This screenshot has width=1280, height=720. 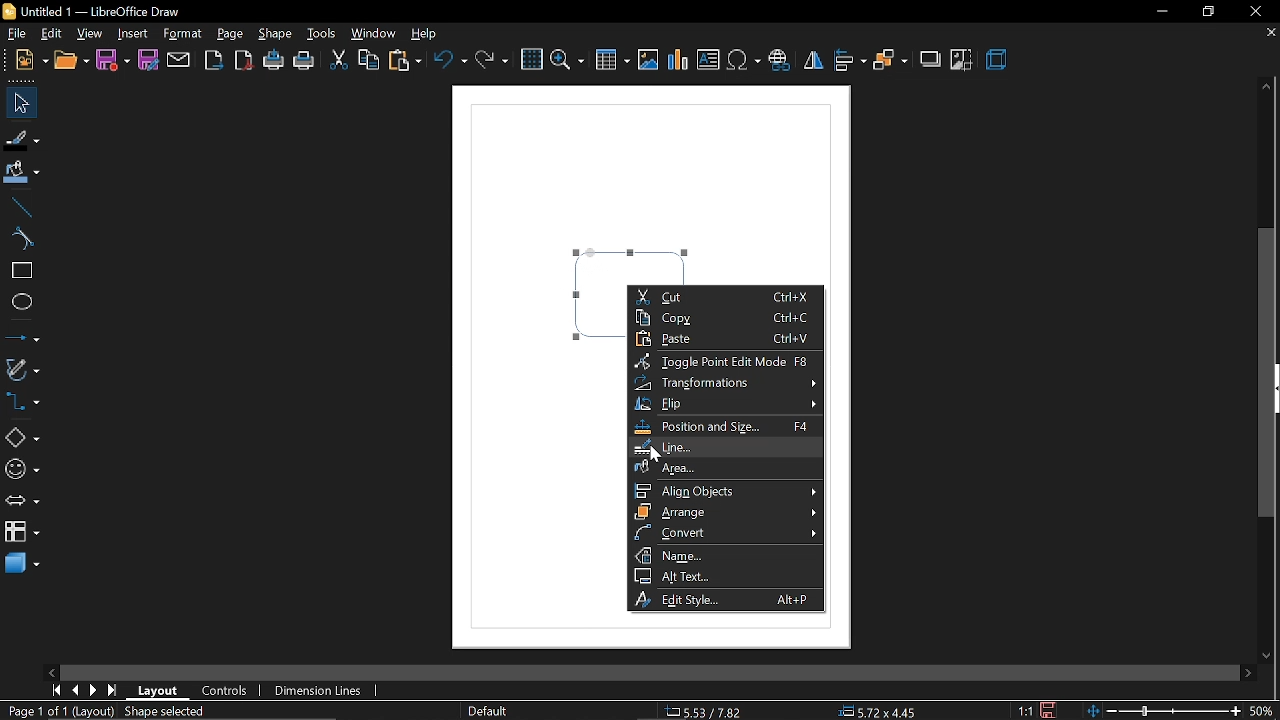 What do you see at coordinates (93, 691) in the screenshot?
I see `next page` at bounding box center [93, 691].